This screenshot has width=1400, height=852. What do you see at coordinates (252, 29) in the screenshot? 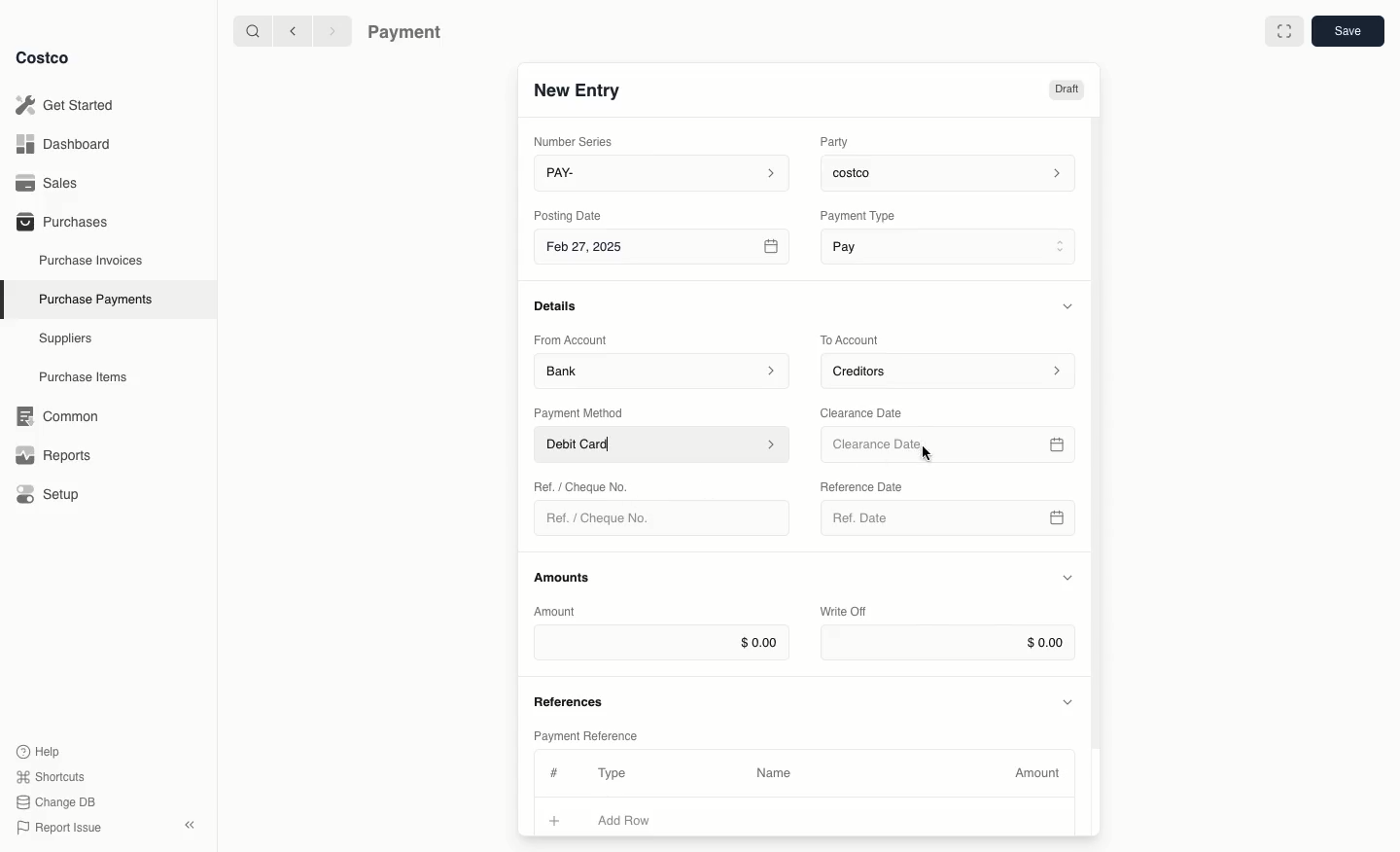
I see `Search` at bounding box center [252, 29].